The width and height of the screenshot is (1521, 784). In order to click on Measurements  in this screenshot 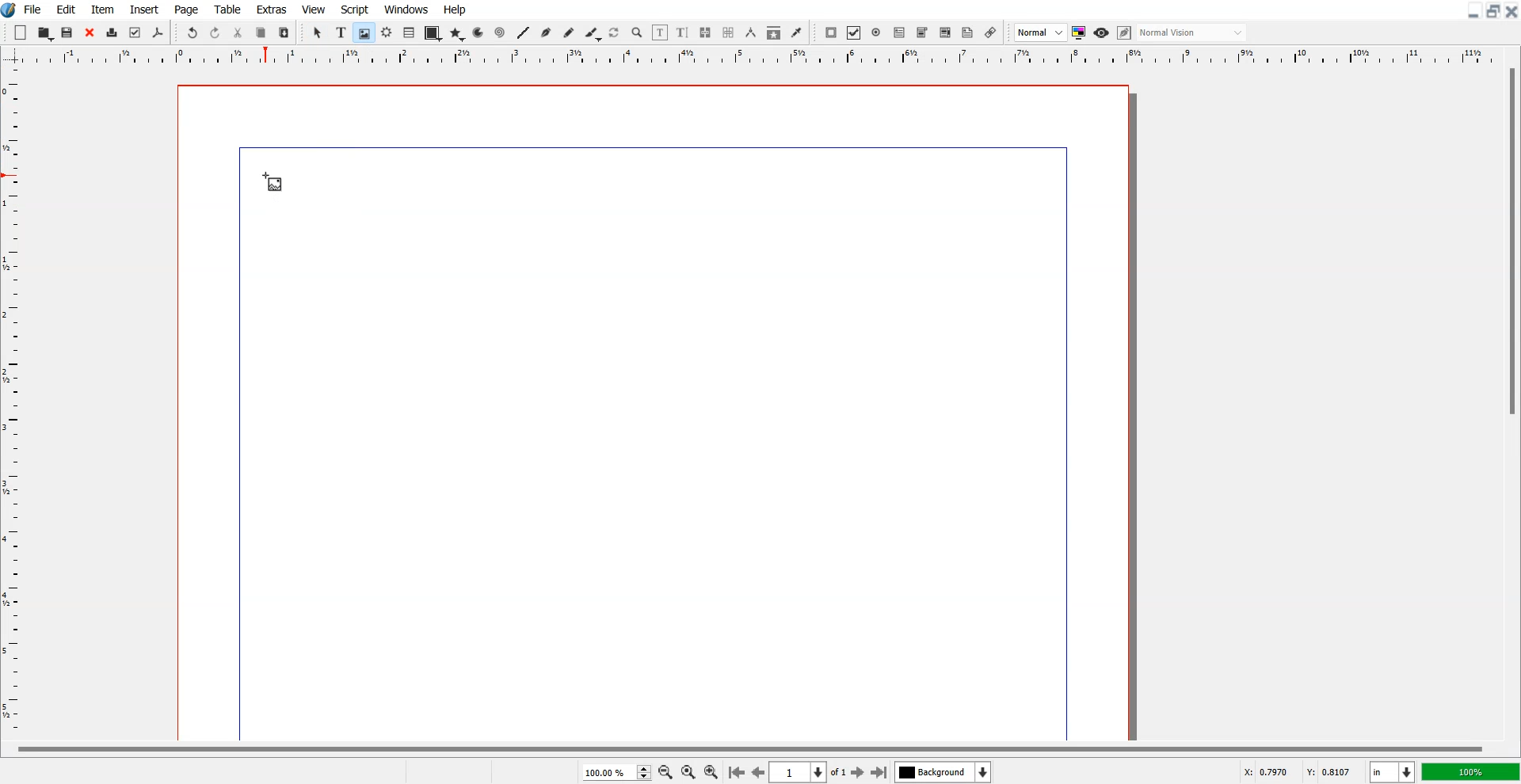, I will do `click(750, 32)`.